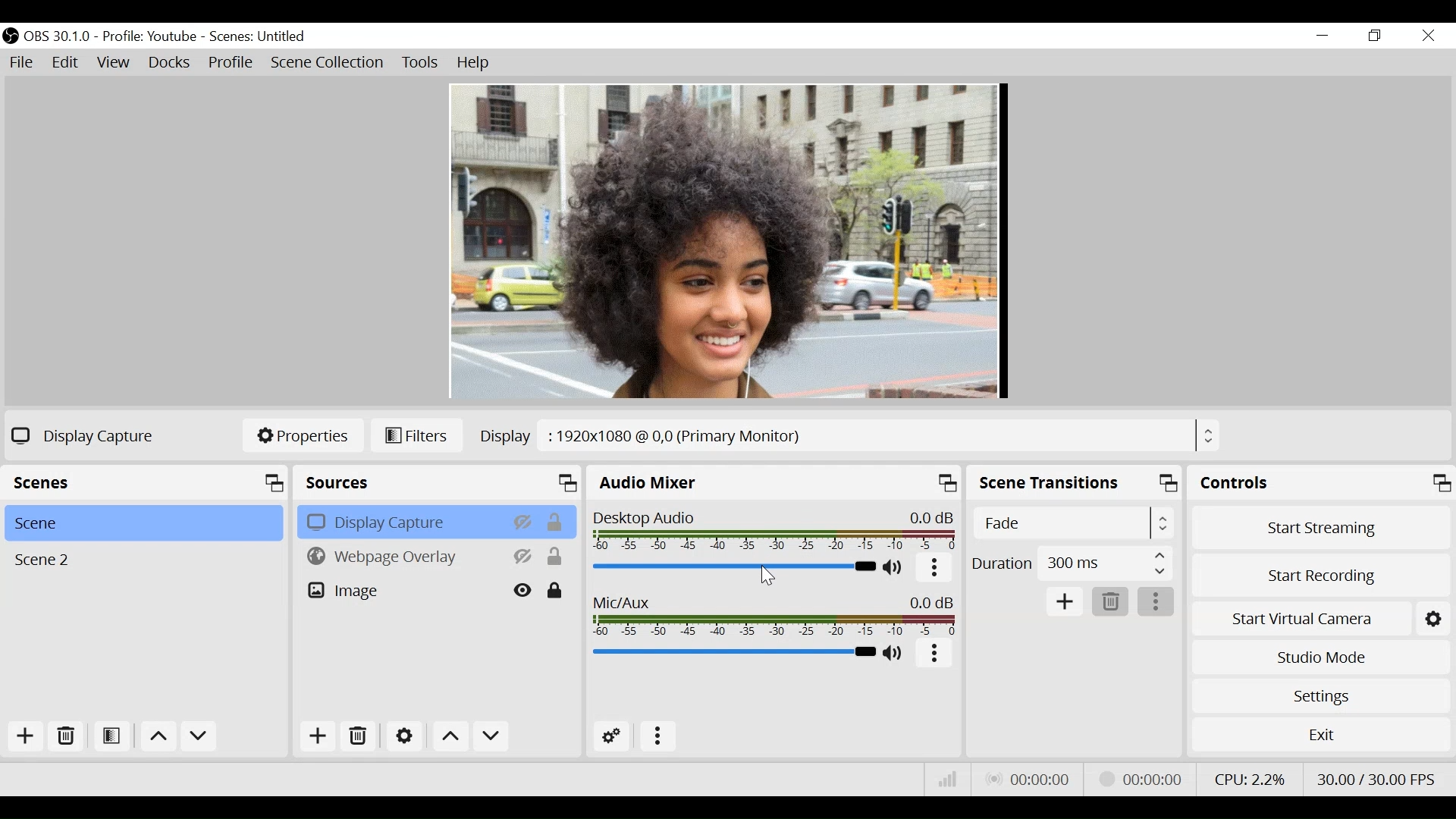  I want to click on Scene name, so click(262, 37).